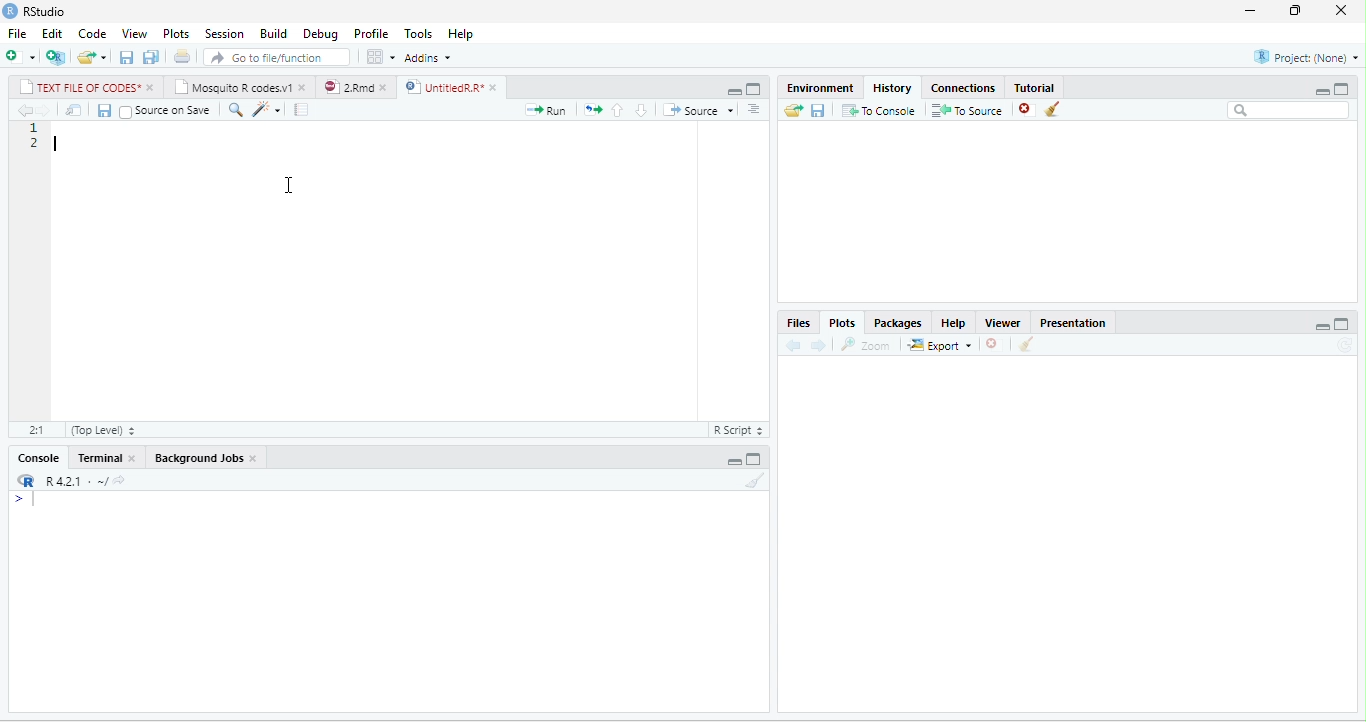 This screenshot has width=1366, height=722. I want to click on close, so click(254, 459).